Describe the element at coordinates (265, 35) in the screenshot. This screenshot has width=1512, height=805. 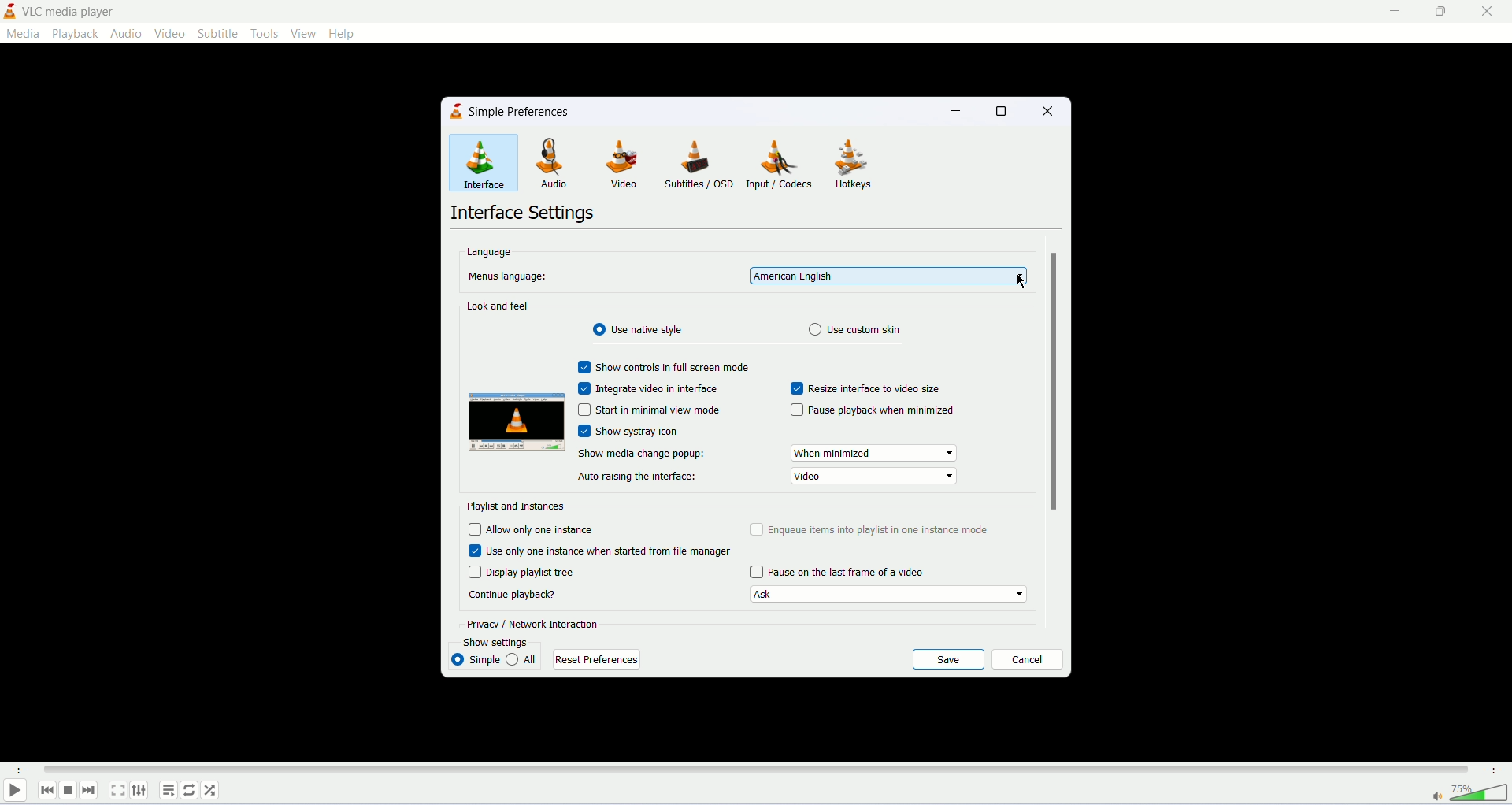
I see `tools` at that location.